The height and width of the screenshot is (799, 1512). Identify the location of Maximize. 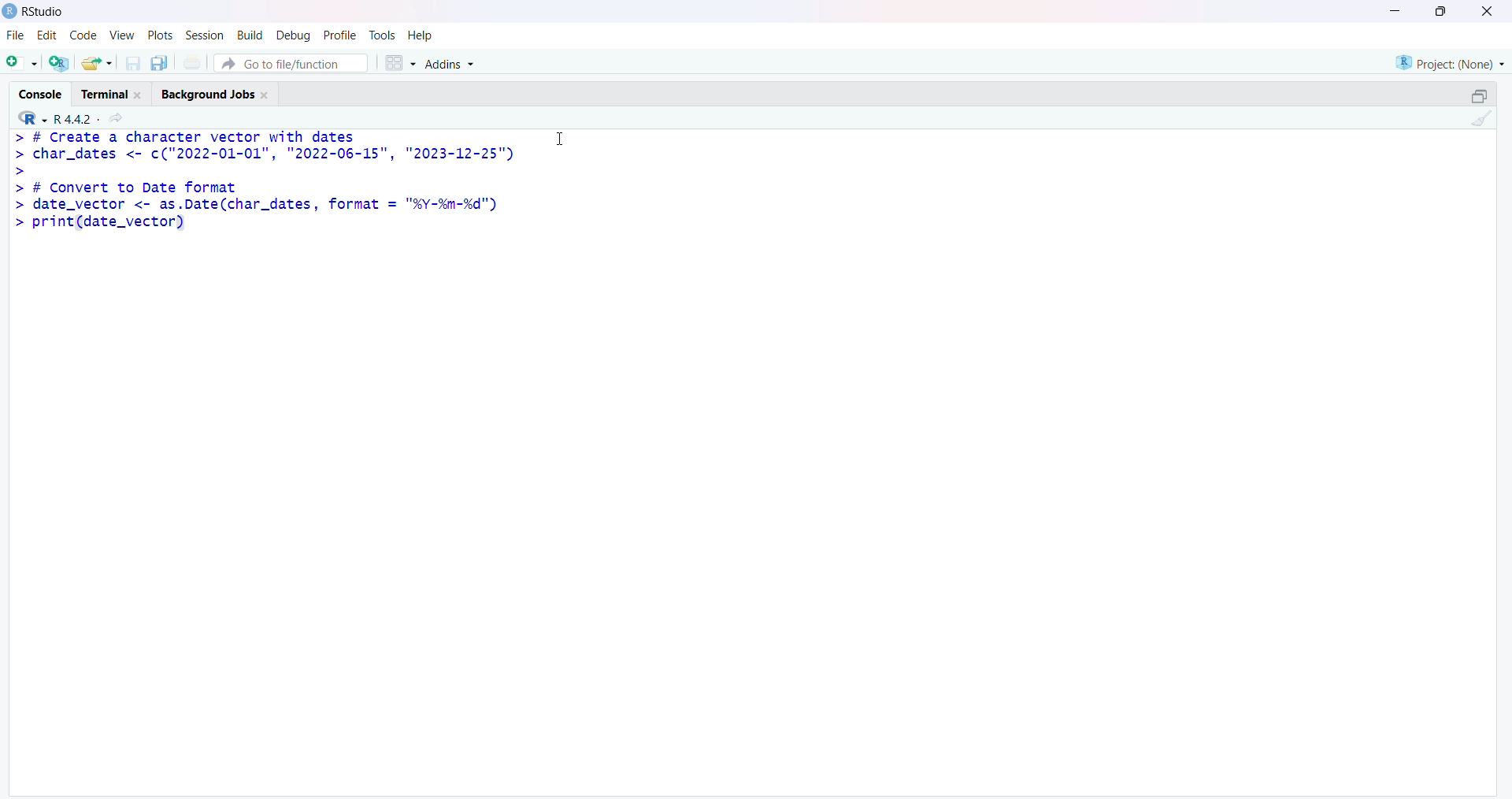
(1441, 11).